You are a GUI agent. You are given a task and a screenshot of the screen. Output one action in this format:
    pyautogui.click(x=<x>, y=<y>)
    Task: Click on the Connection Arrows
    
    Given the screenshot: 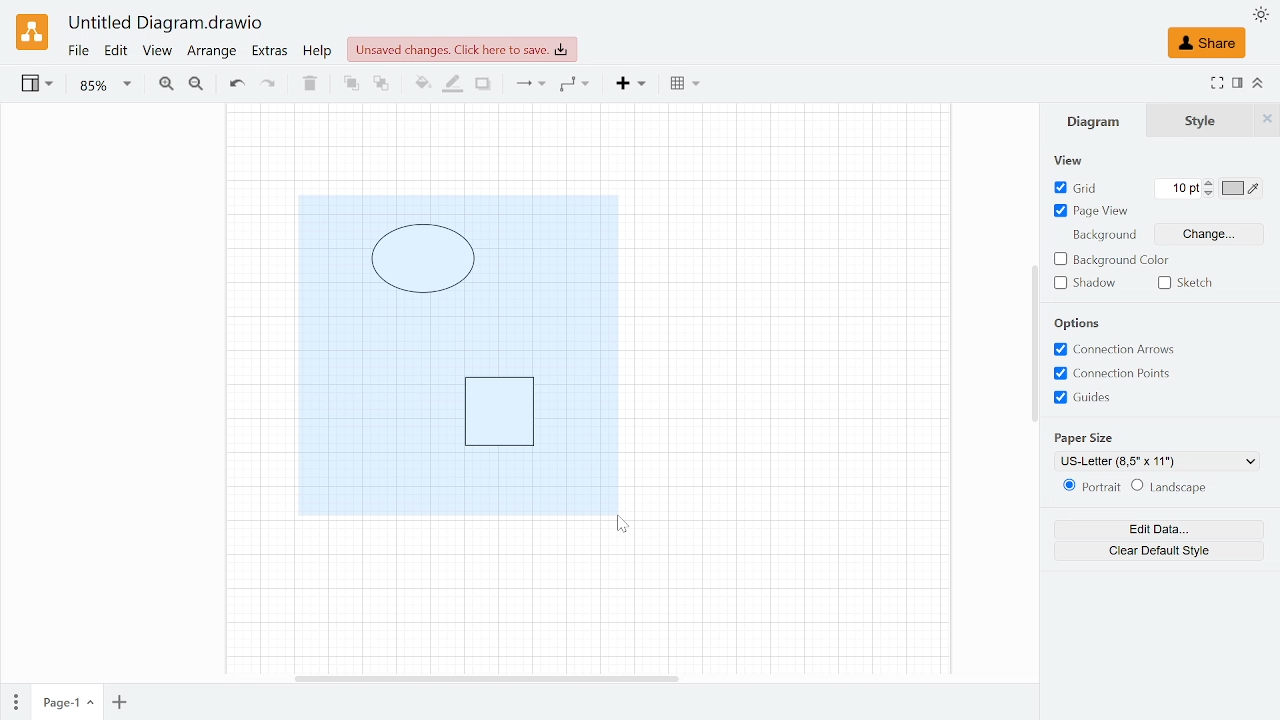 What is the action you would take?
    pyautogui.click(x=1116, y=349)
    